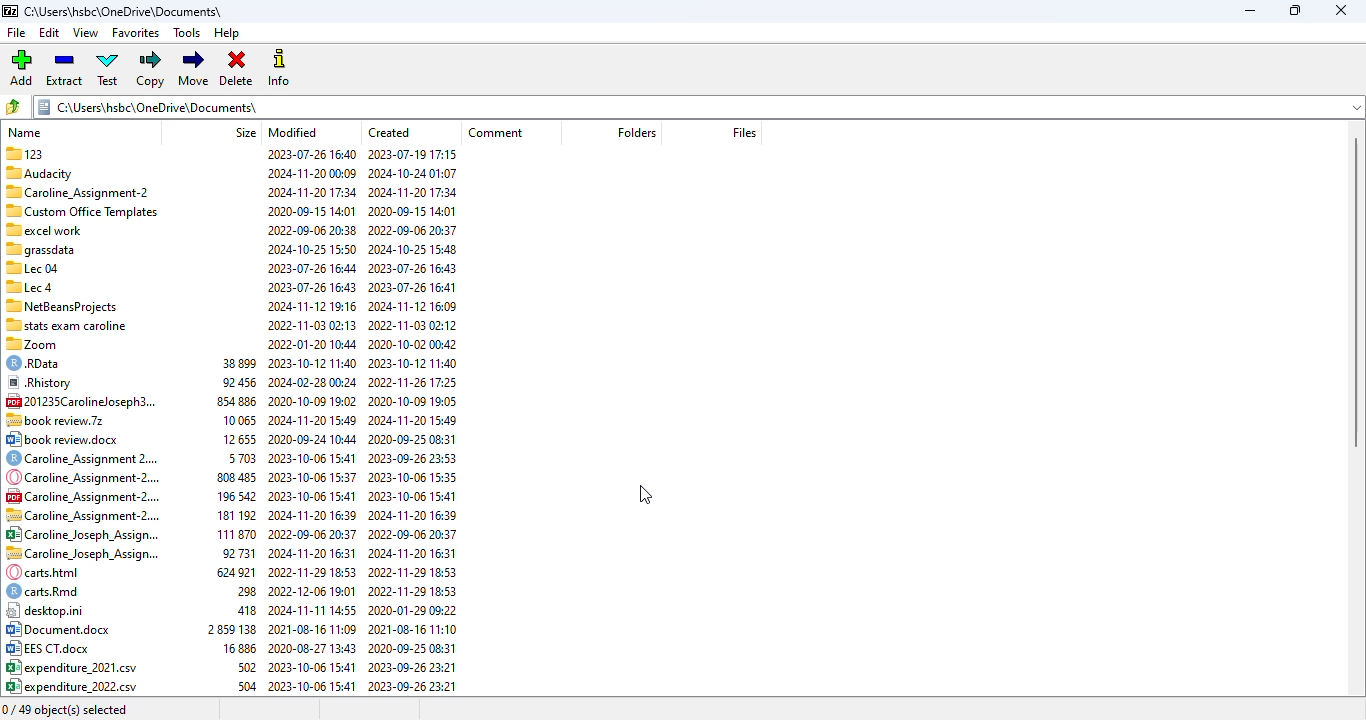  I want to click on cursor, so click(645, 495).